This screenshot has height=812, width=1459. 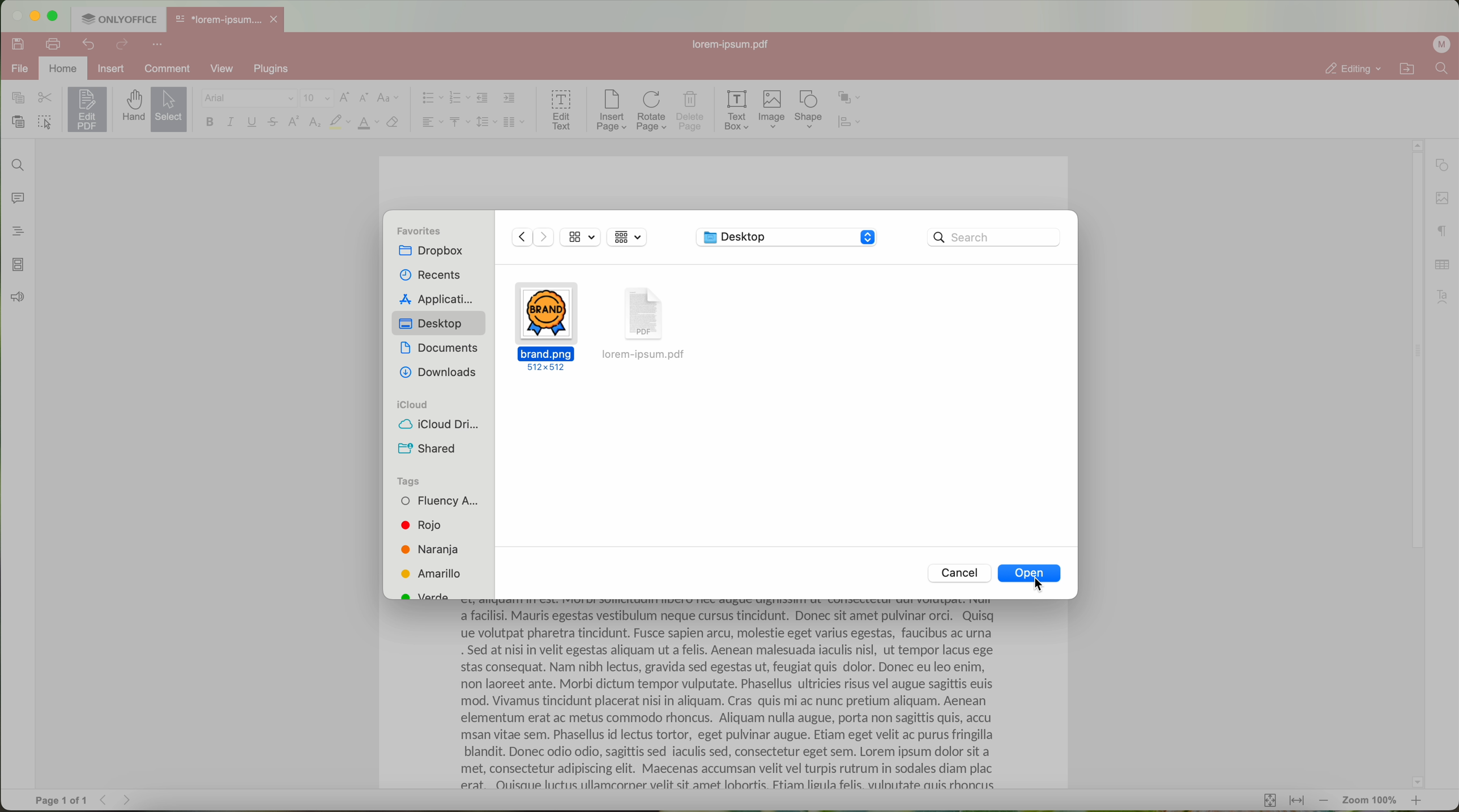 I want to click on downloads, so click(x=438, y=373).